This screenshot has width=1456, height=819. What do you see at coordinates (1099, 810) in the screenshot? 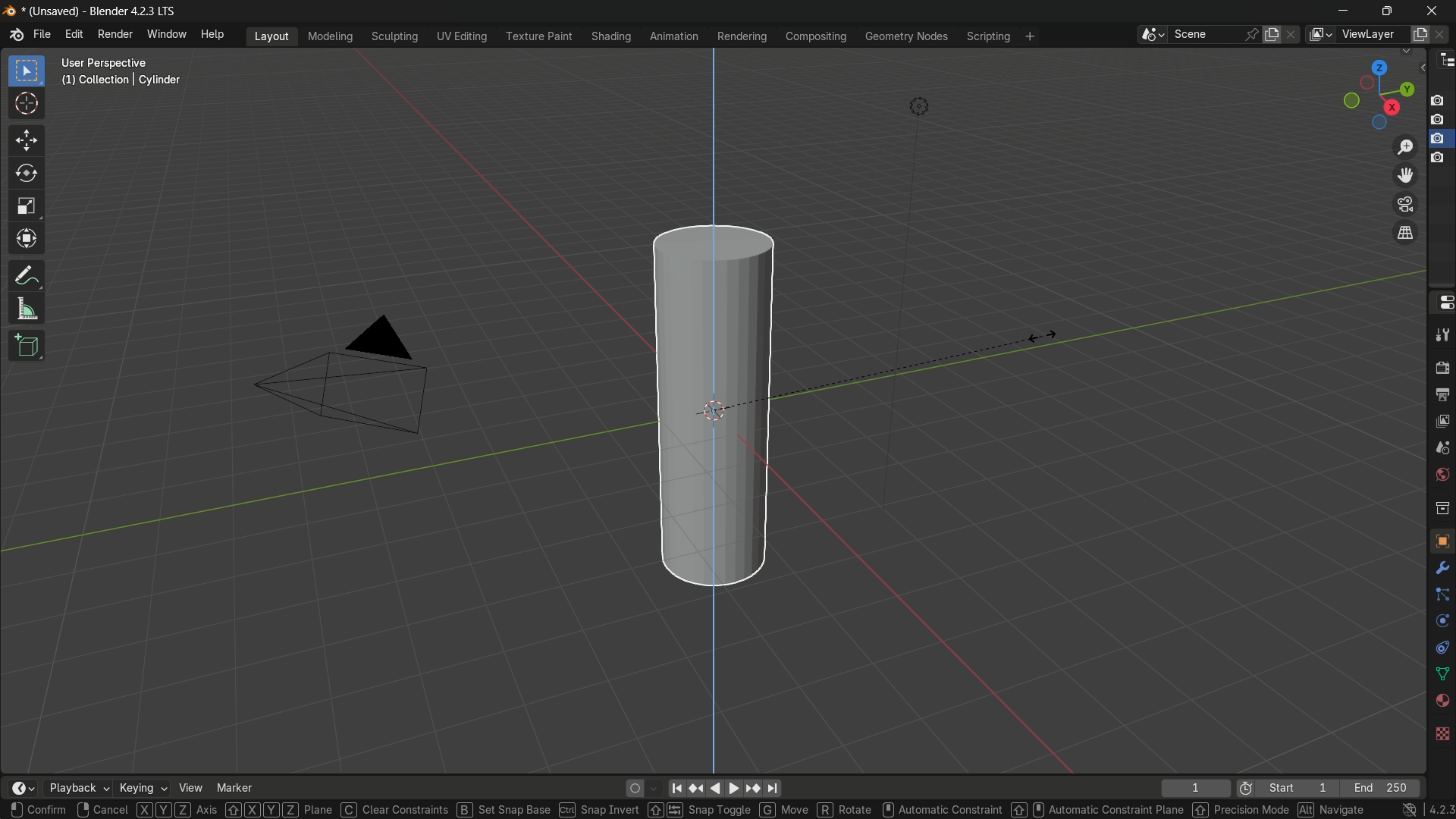
I see `hold shift and use mouse scroll wheel for Automatic constraint plane` at bounding box center [1099, 810].